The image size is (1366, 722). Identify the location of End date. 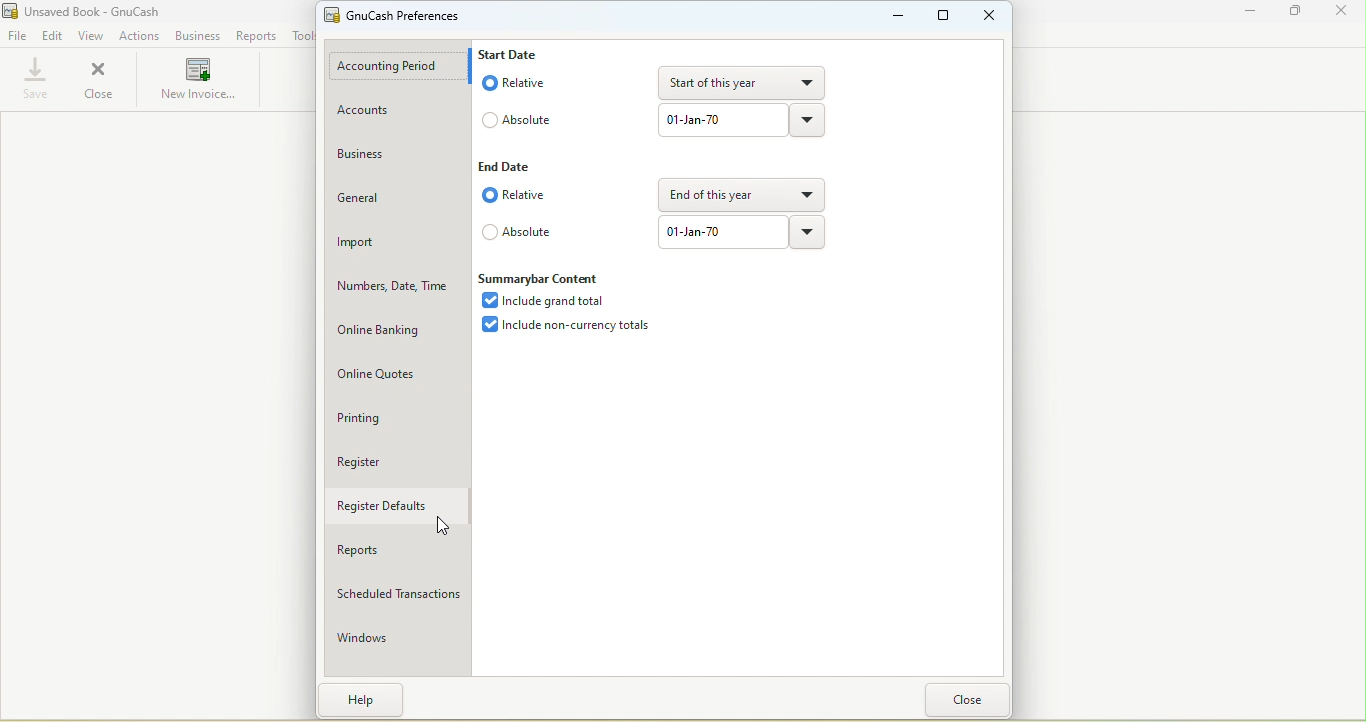
(509, 168).